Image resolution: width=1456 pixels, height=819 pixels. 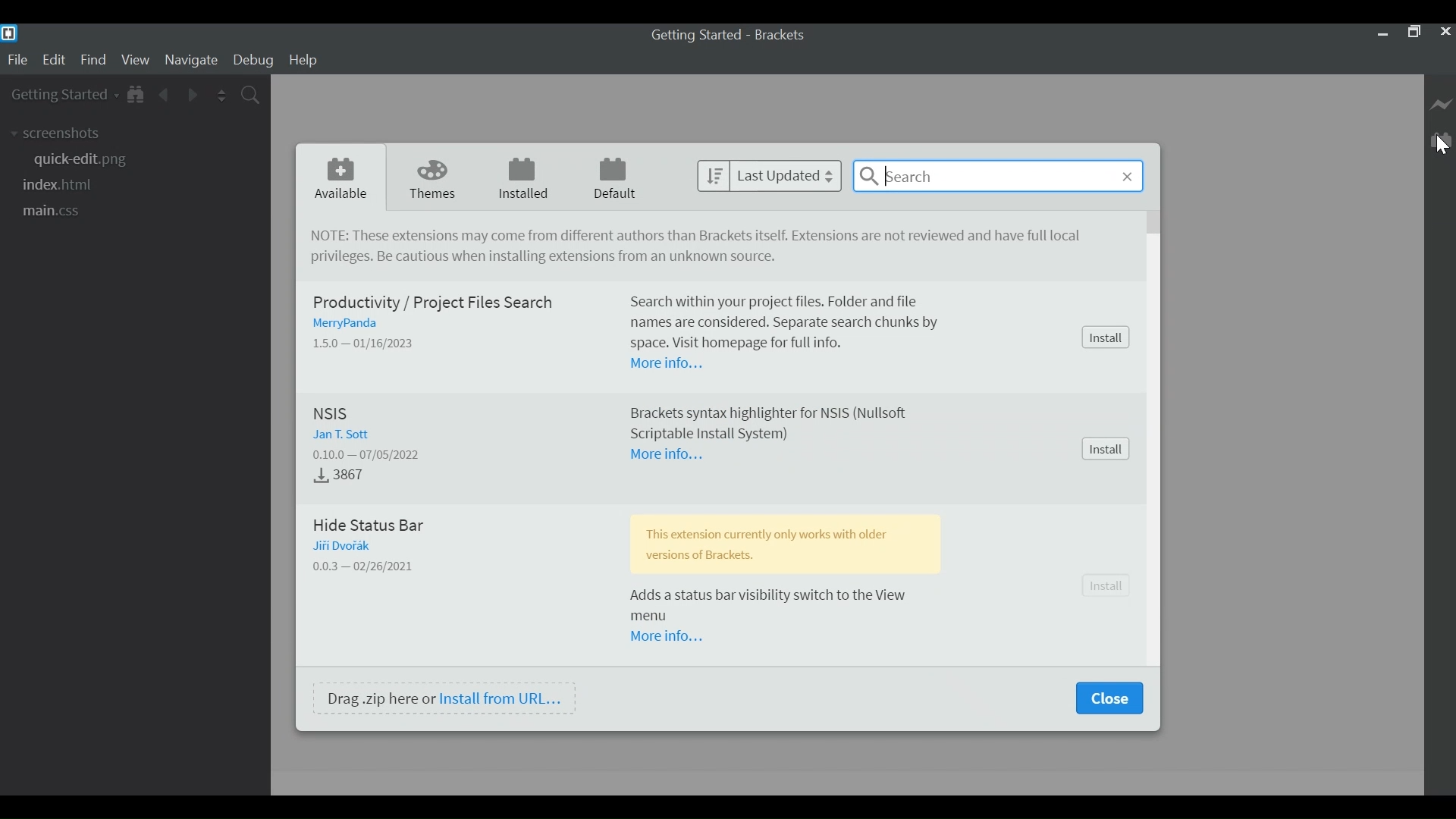 I want to click on NSIS, so click(x=334, y=414).